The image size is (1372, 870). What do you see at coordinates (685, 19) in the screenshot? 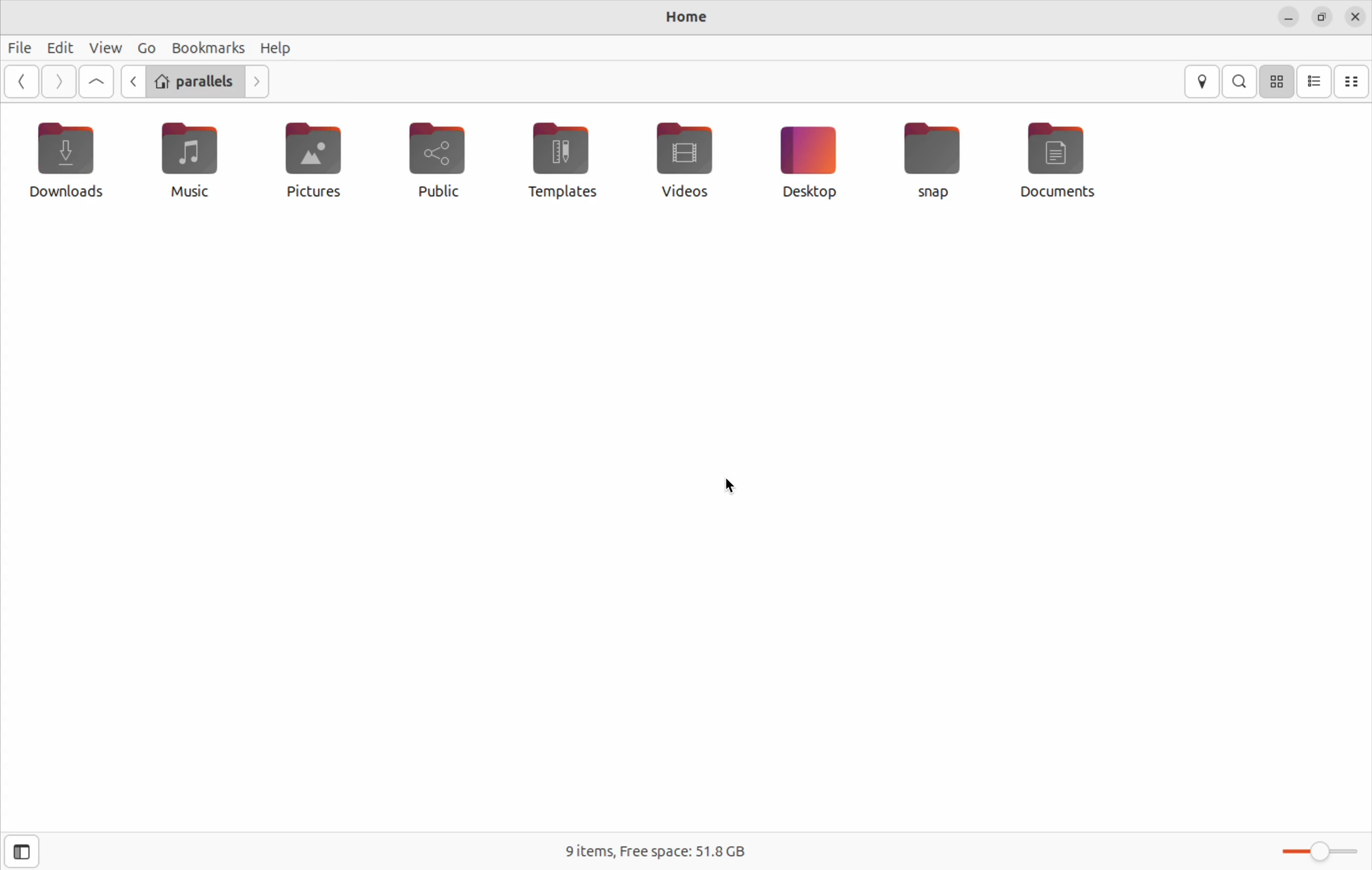
I see `home` at bounding box center [685, 19].